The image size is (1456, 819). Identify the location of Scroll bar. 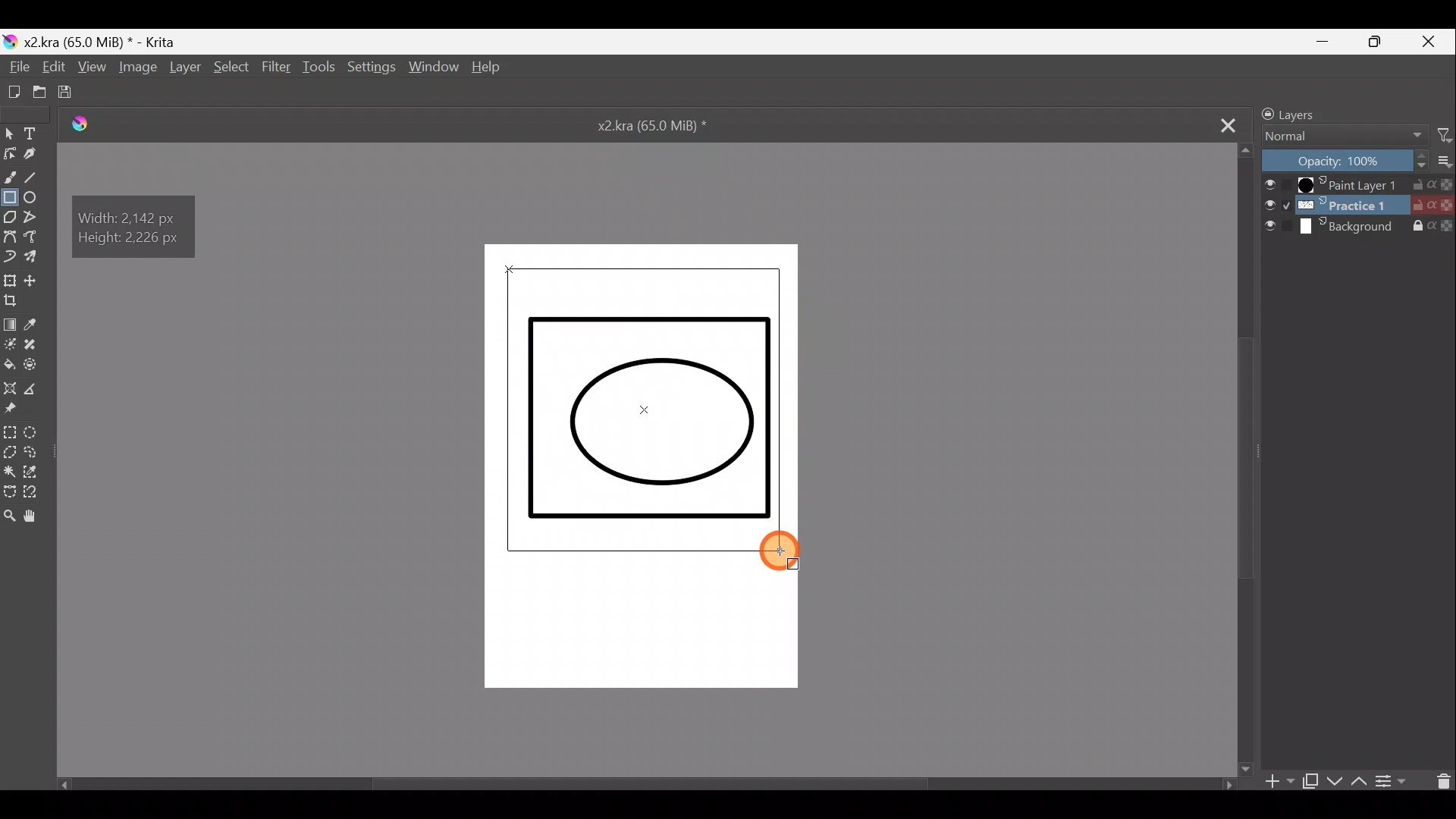
(654, 783).